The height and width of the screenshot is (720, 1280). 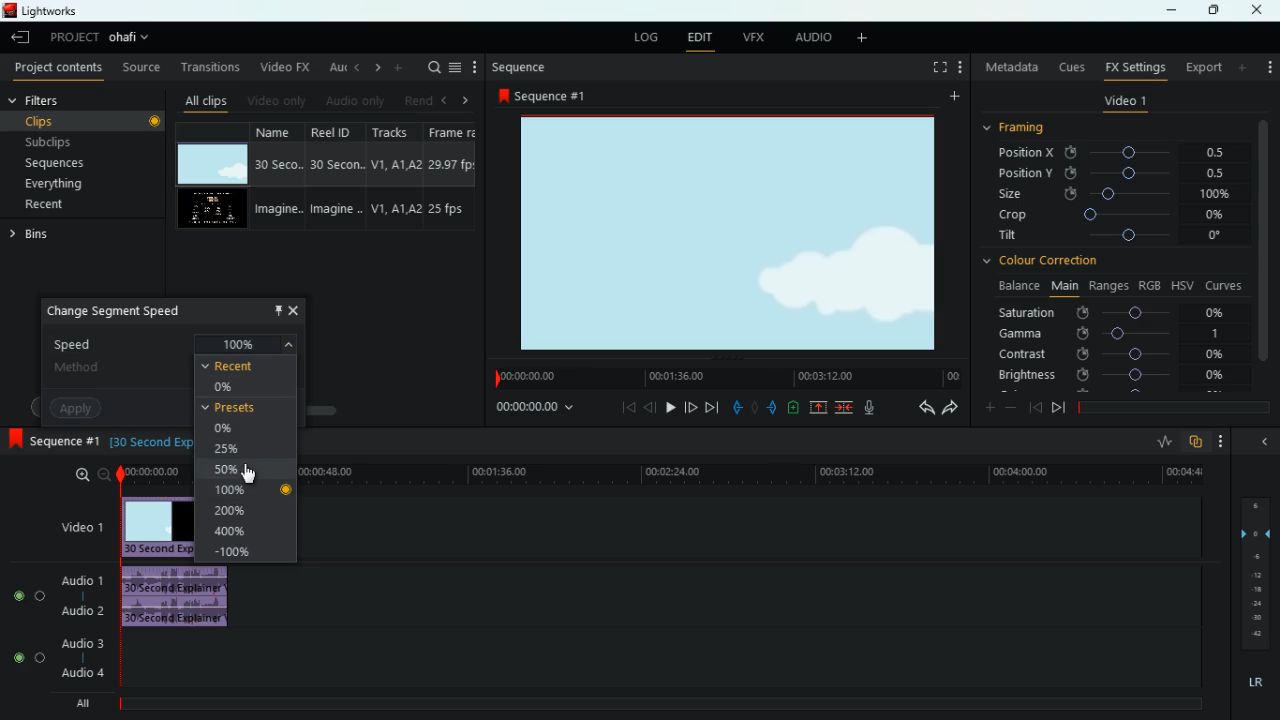 I want to click on pull, so click(x=736, y=406).